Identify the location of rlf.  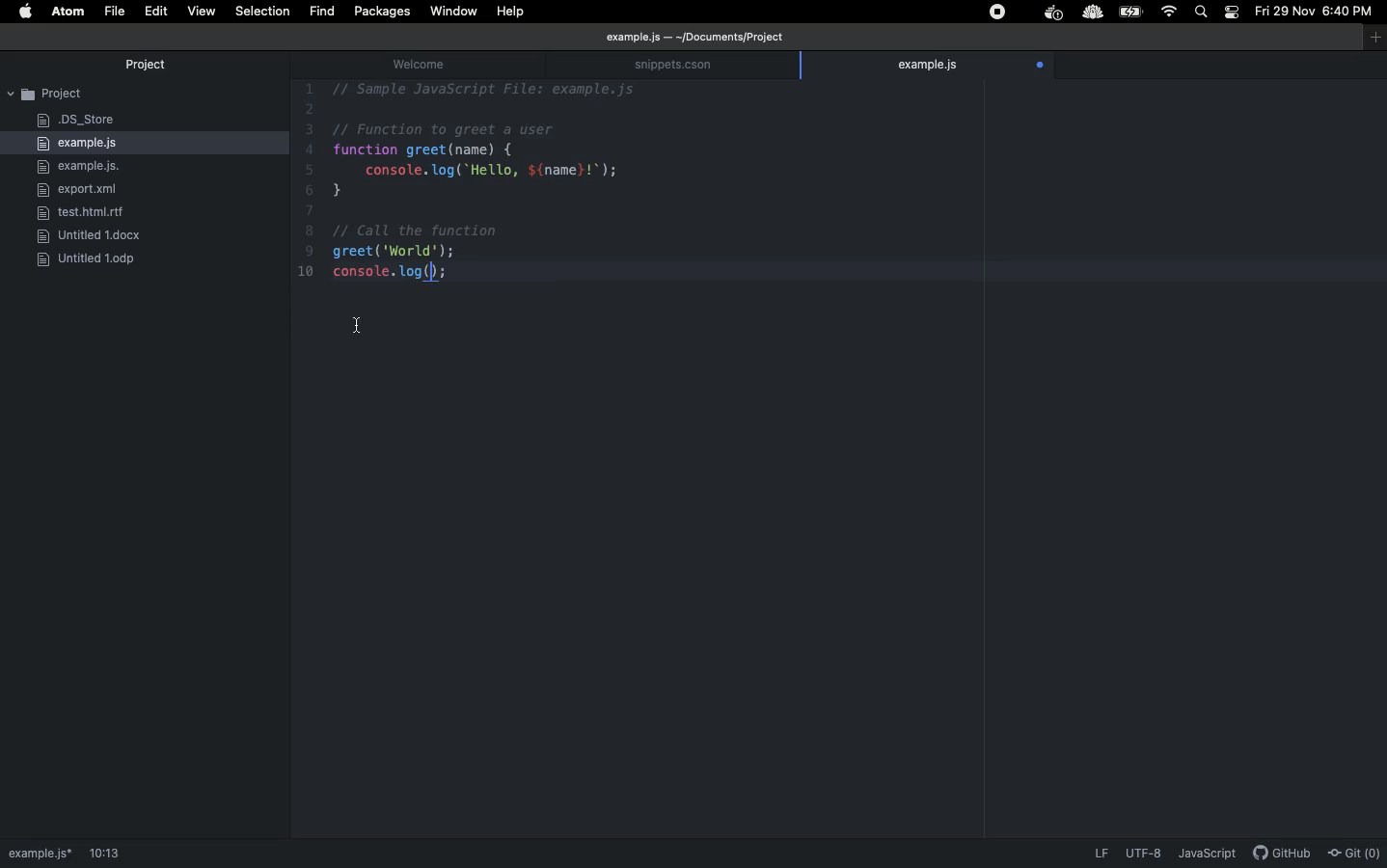
(82, 213).